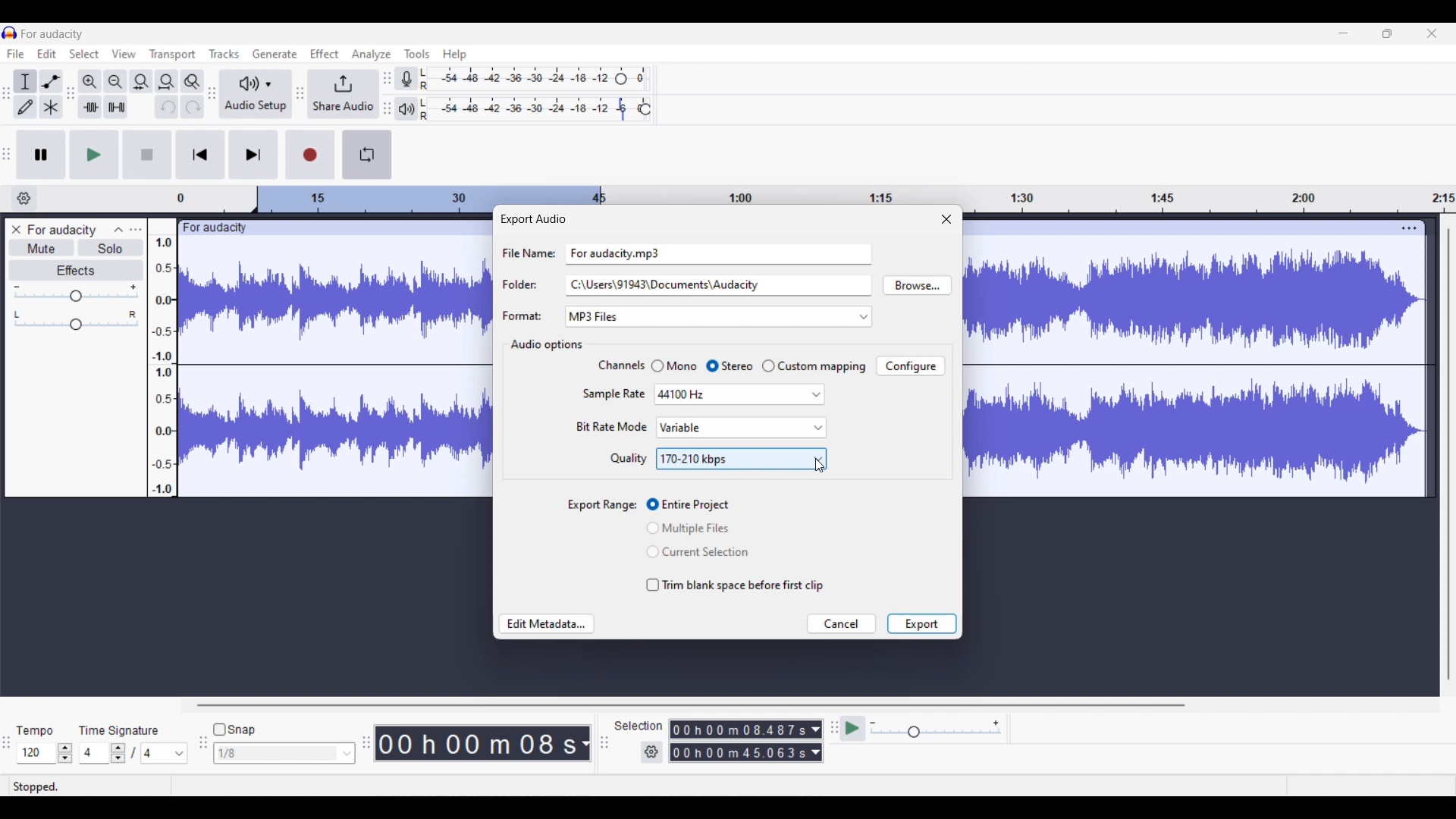 Image resolution: width=1456 pixels, height=819 pixels. Describe the element at coordinates (1181, 359) in the screenshot. I see `Current track` at that location.